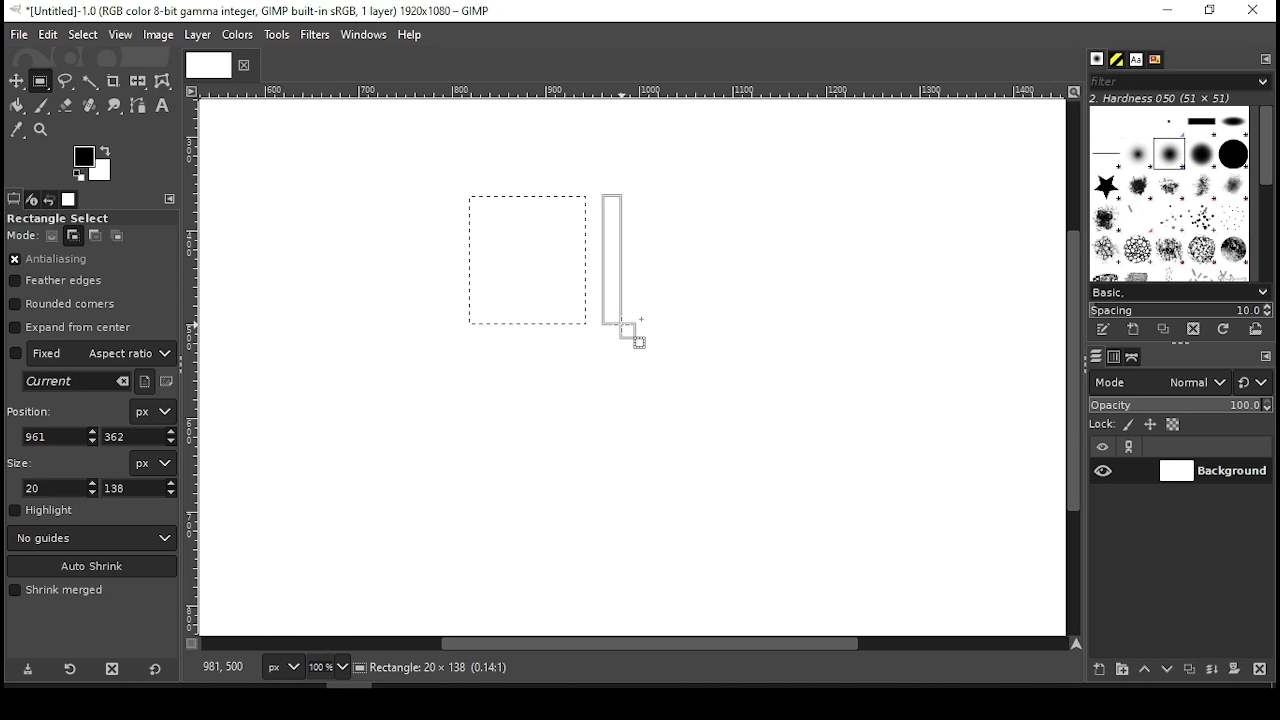  I want to click on create a new brush, so click(1136, 329).